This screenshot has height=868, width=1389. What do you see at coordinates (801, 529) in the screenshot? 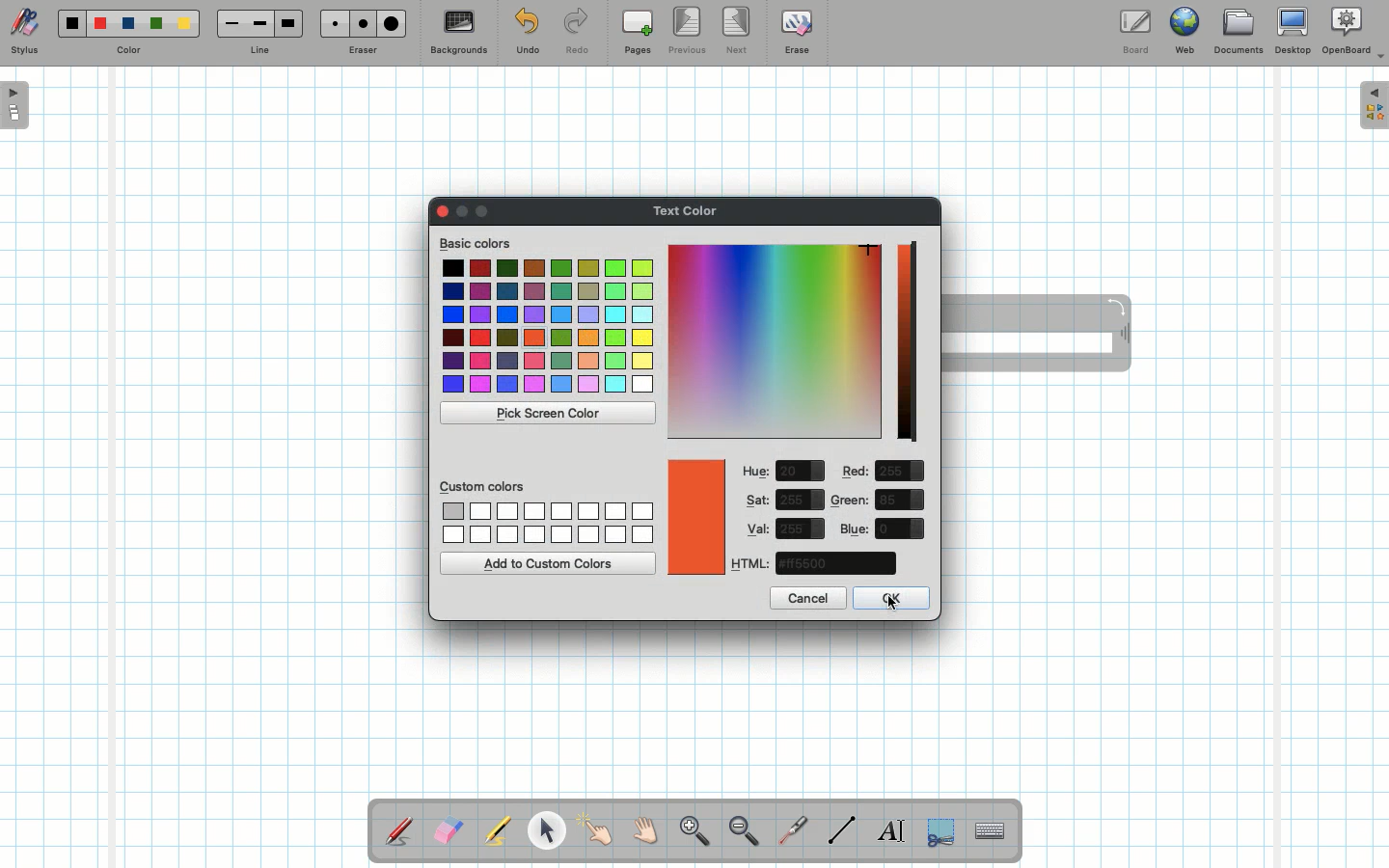
I see `value` at bounding box center [801, 529].